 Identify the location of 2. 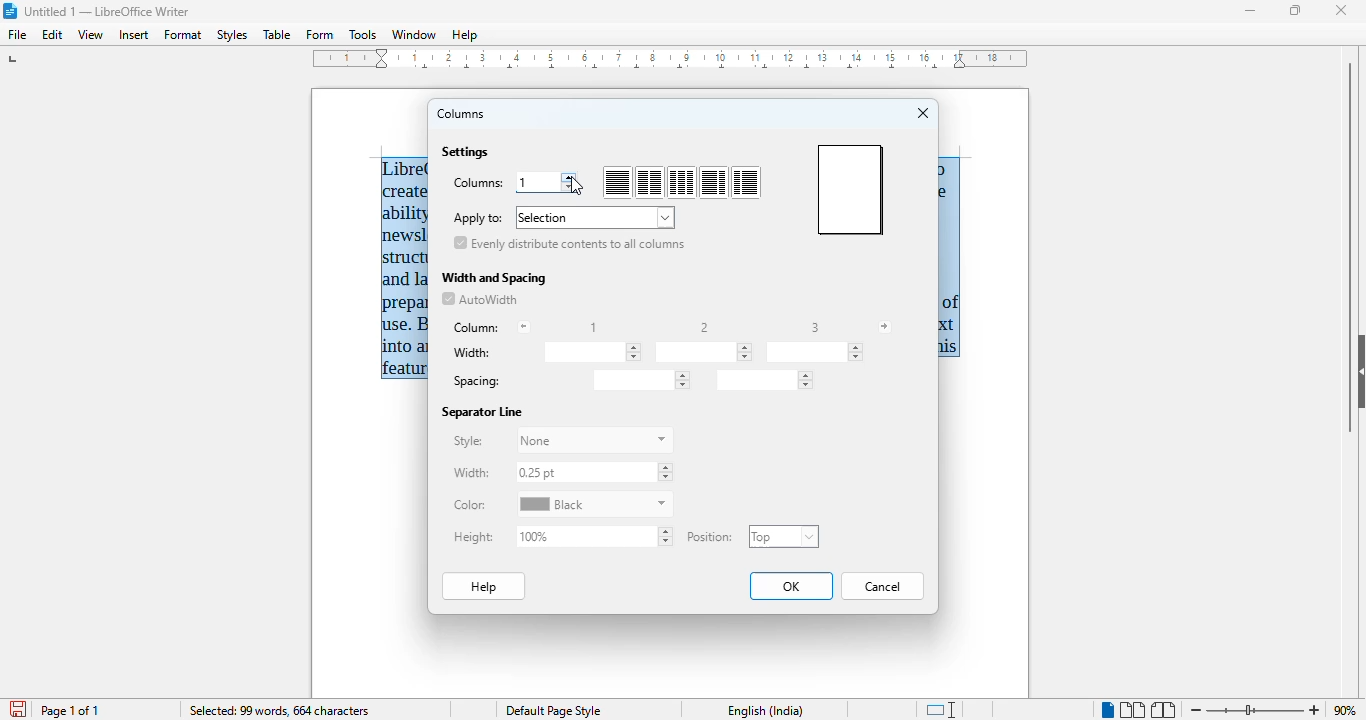
(706, 327).